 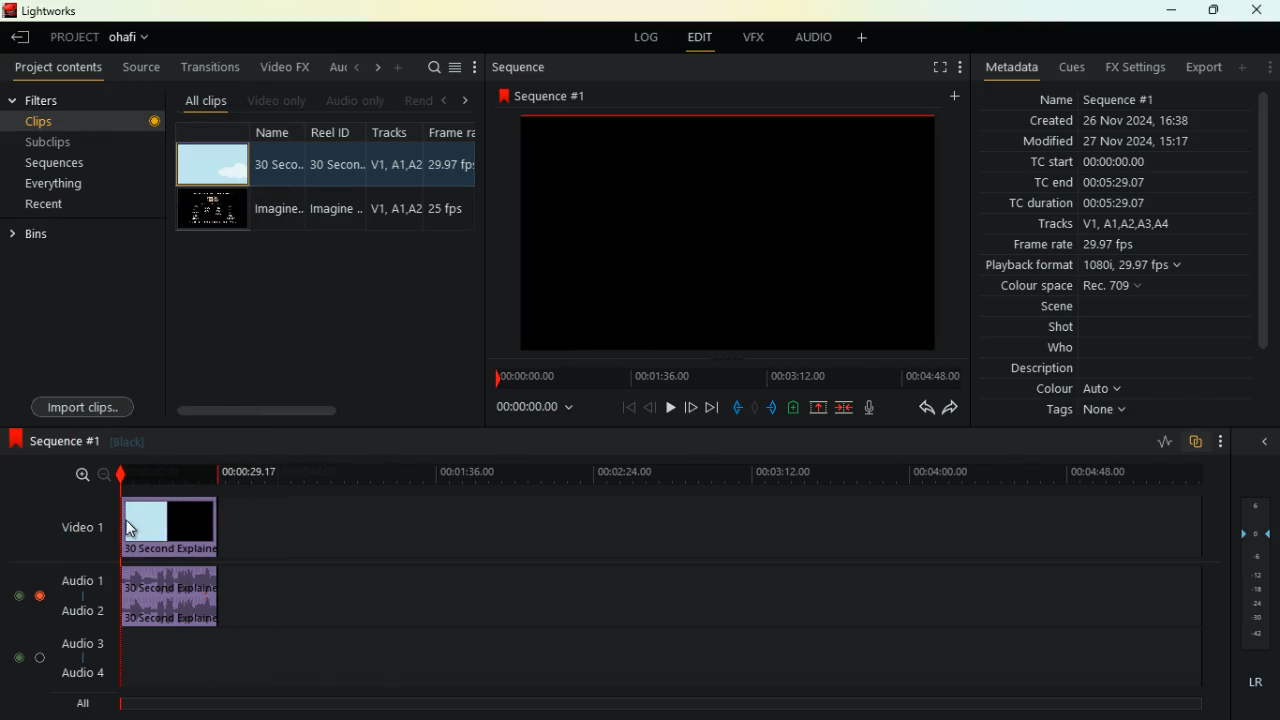 I want to click on rate, so click(x=1157, y=443).